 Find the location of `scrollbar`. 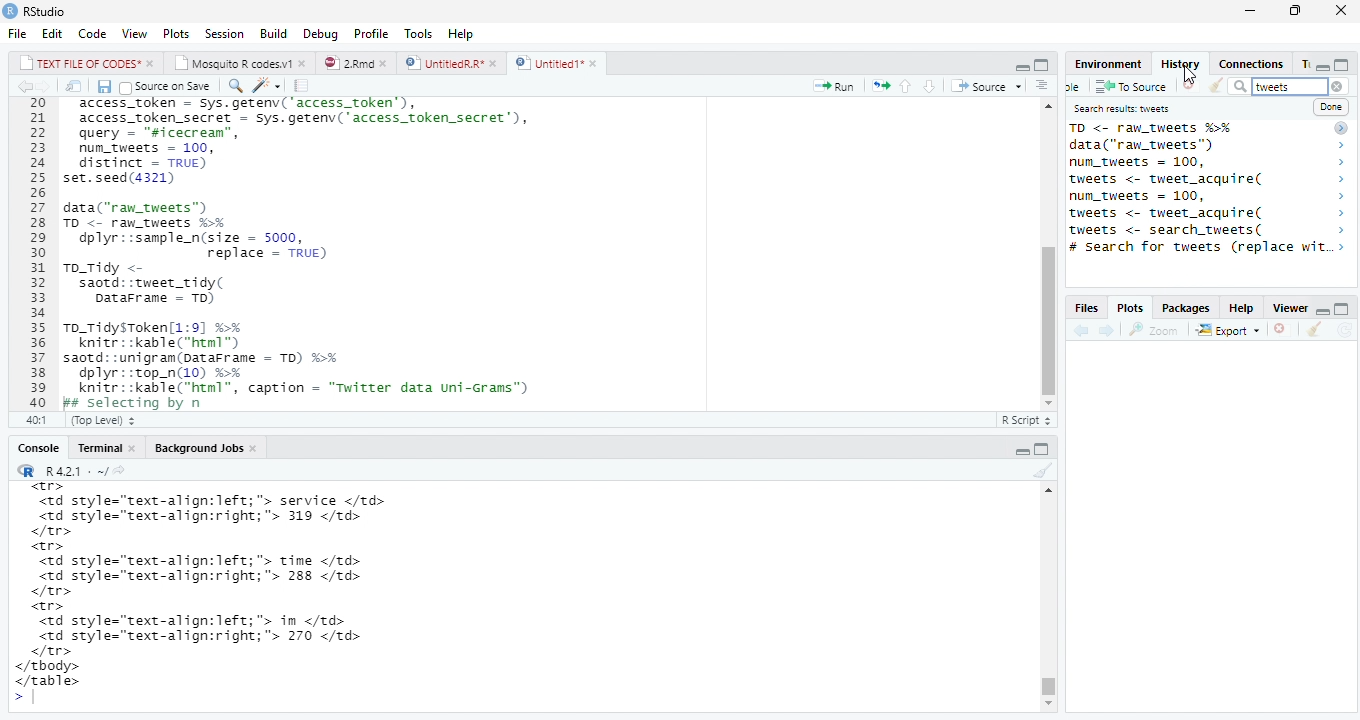

scrollbar is located at coordinates (1047, 250).